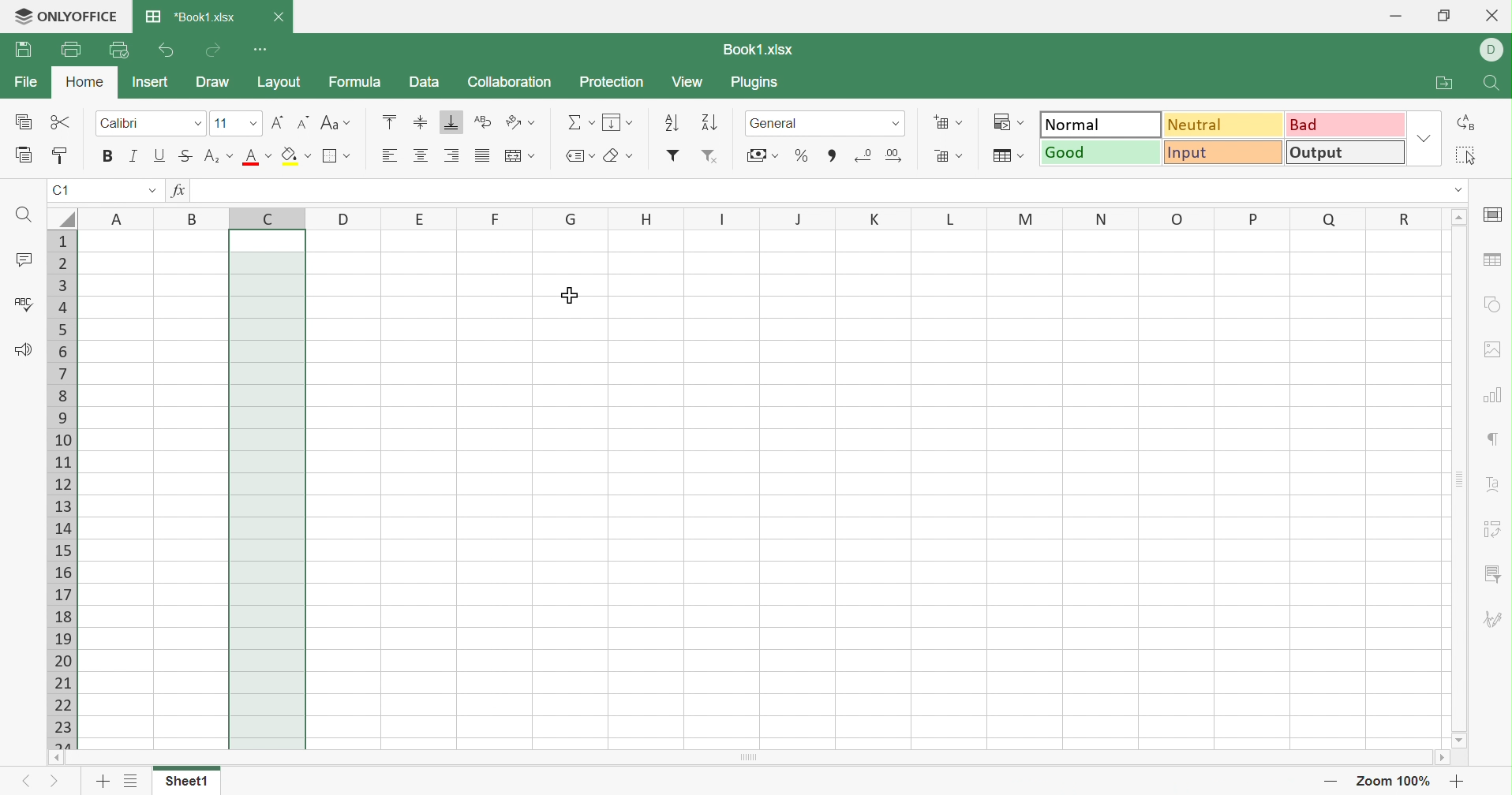 The image size is (1512, 795). I want to click on Drop Down, so click(200, 124).